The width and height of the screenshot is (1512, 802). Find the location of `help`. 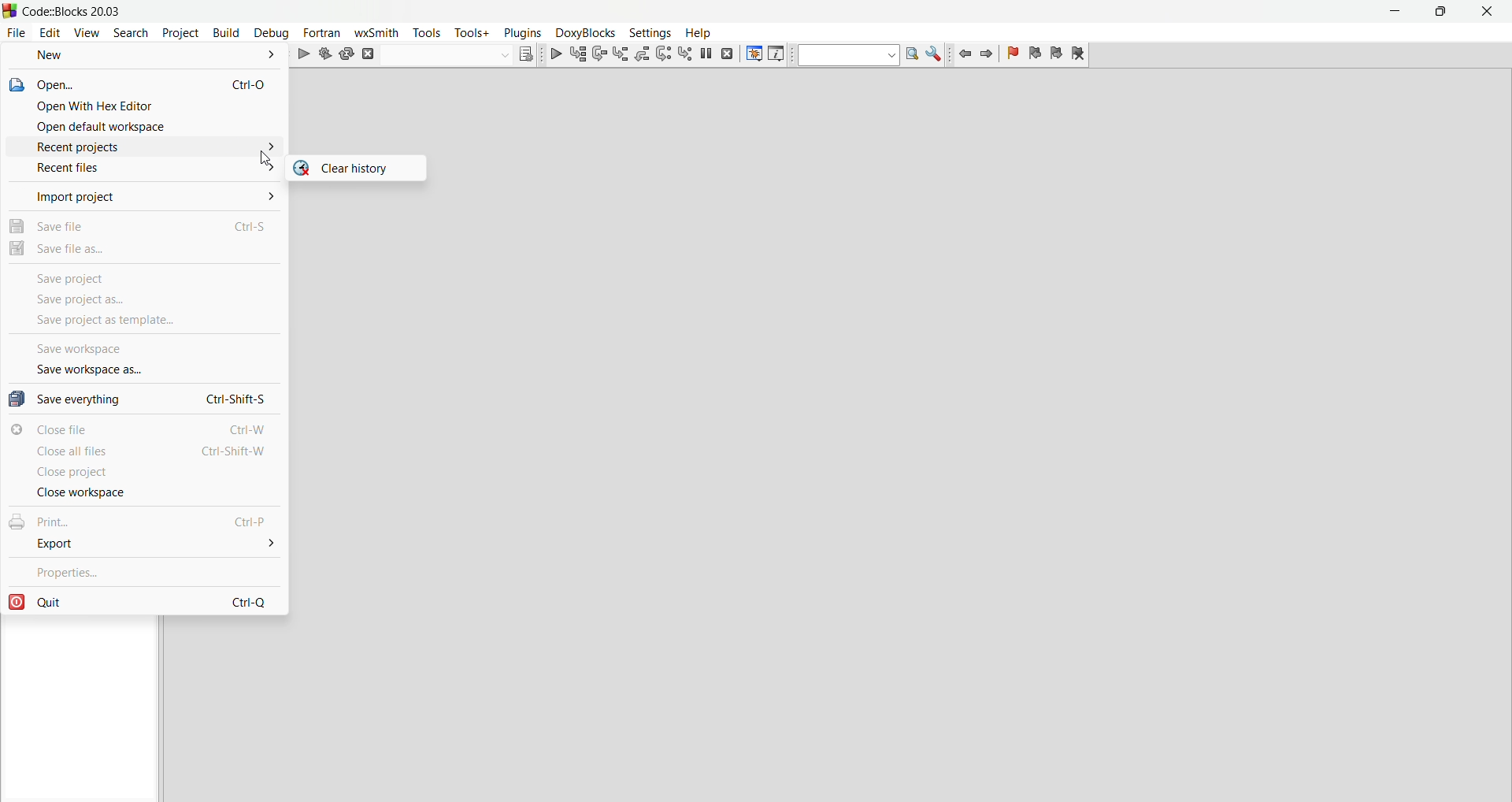

help is located at coordinates (696, 32).